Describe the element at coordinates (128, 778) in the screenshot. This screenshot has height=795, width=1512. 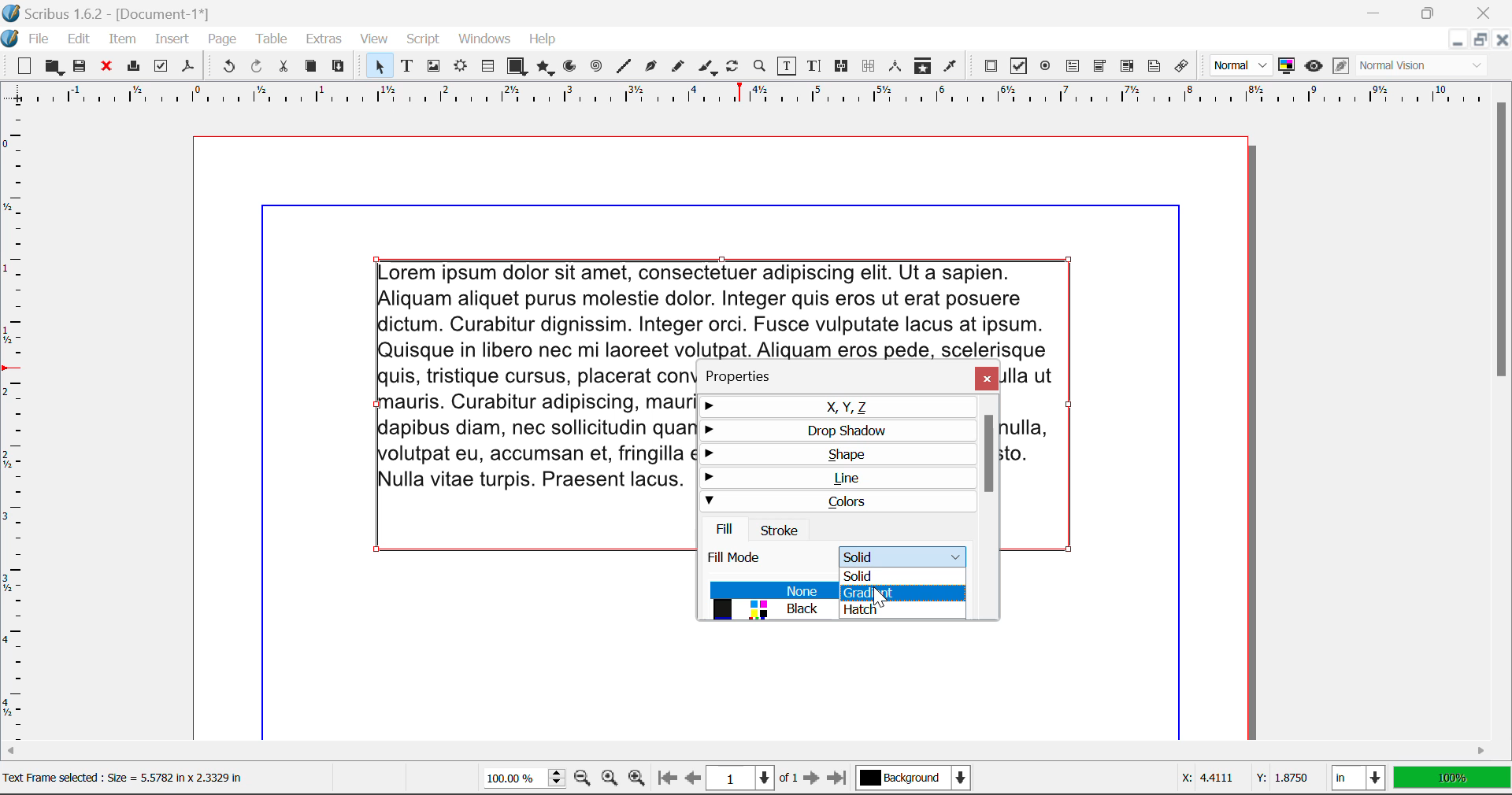
I see `Text Frame selected : Size = 5.5782 in x 2.3329 in` at that location.